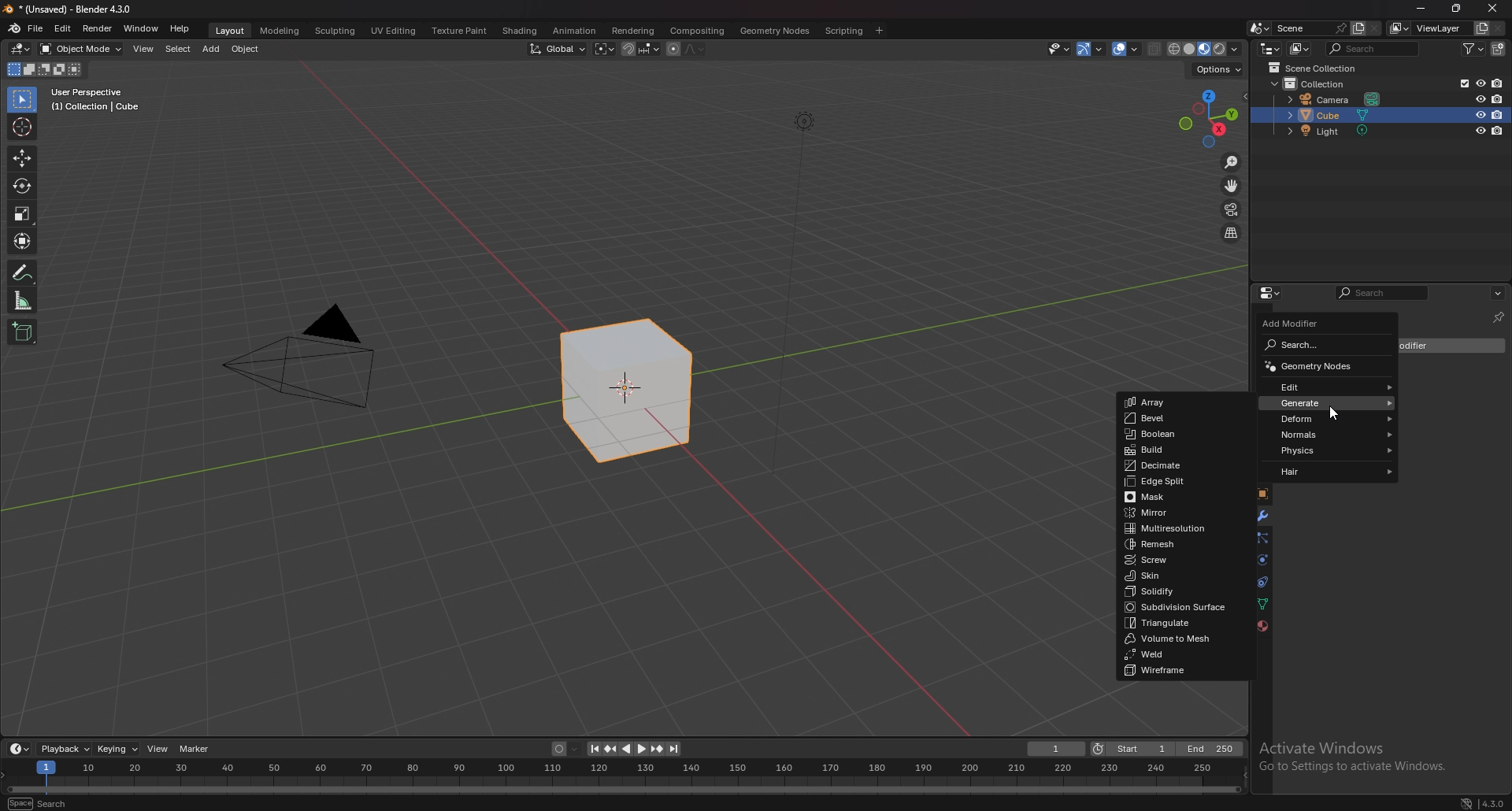 Image resolution: width=1512 pixels, height=811 pixels. Describe the element at coordinates (1232, 210) in the screenshot. I see `camera view` at that location.